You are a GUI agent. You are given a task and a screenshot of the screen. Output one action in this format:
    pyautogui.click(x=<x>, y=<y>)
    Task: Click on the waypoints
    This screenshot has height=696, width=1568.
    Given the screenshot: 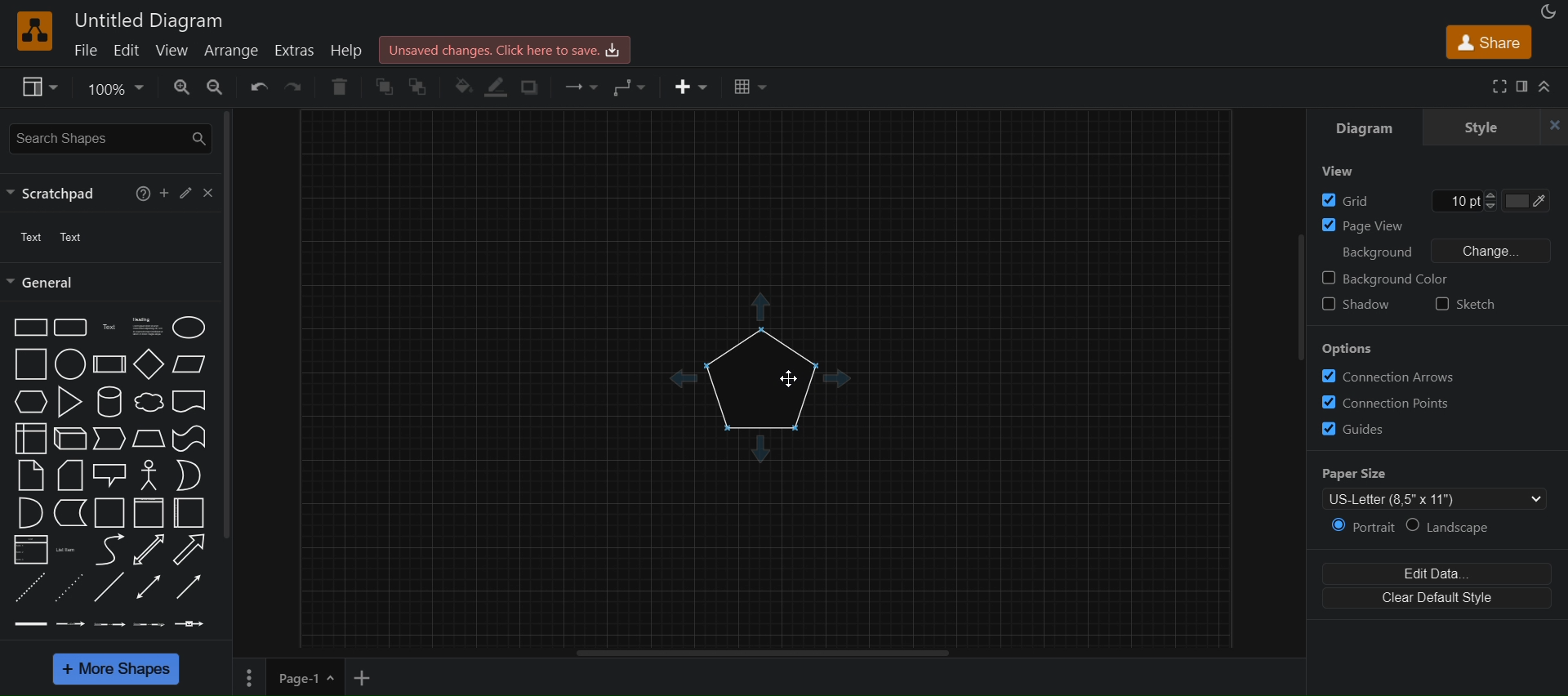 What is the action you would take?
    pyautogui.click(x=632, y=88)
    